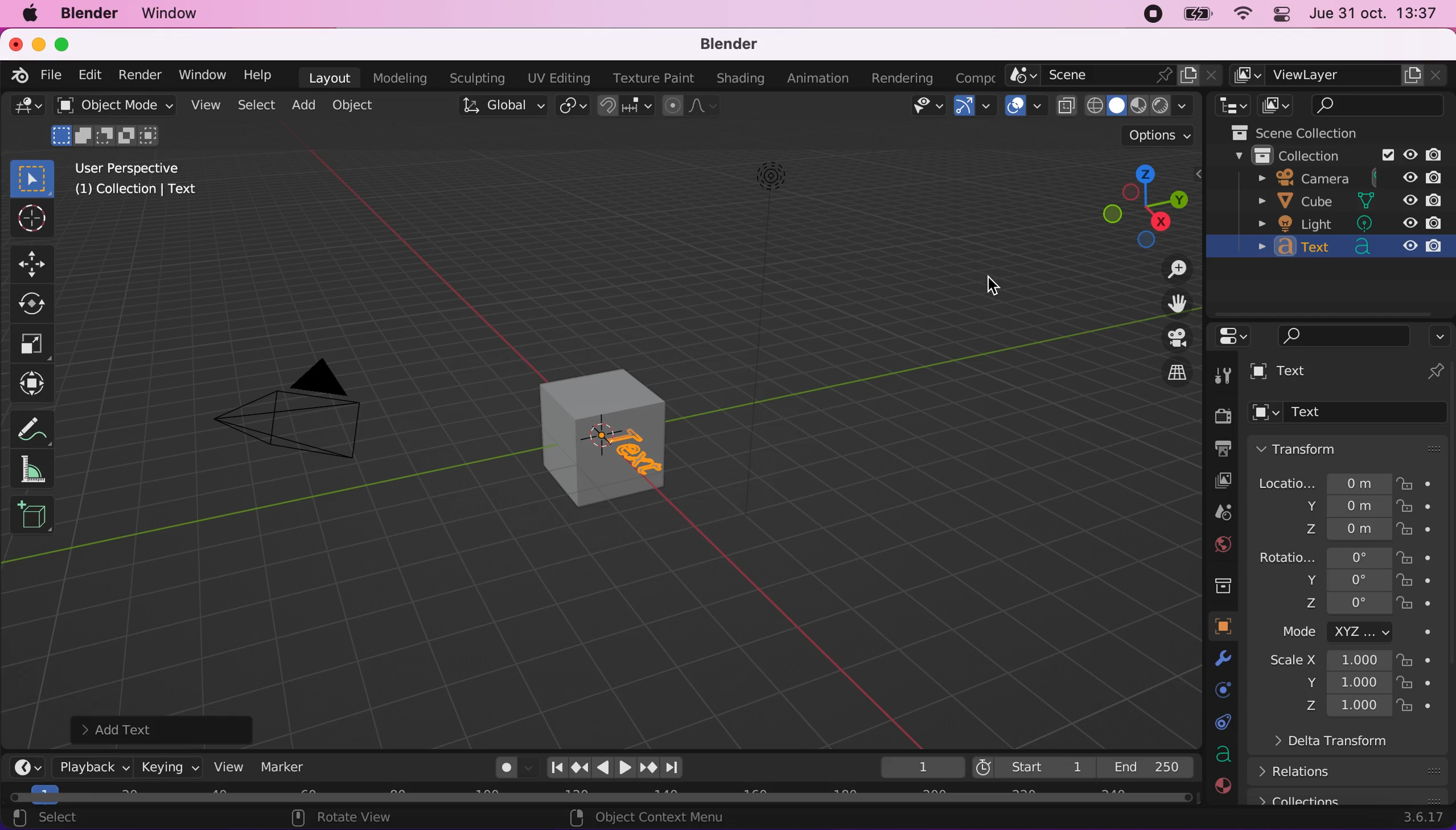 Image resolution: width=1456 pixels, height=830 pixels. I want to click on help, so click(260, 74).